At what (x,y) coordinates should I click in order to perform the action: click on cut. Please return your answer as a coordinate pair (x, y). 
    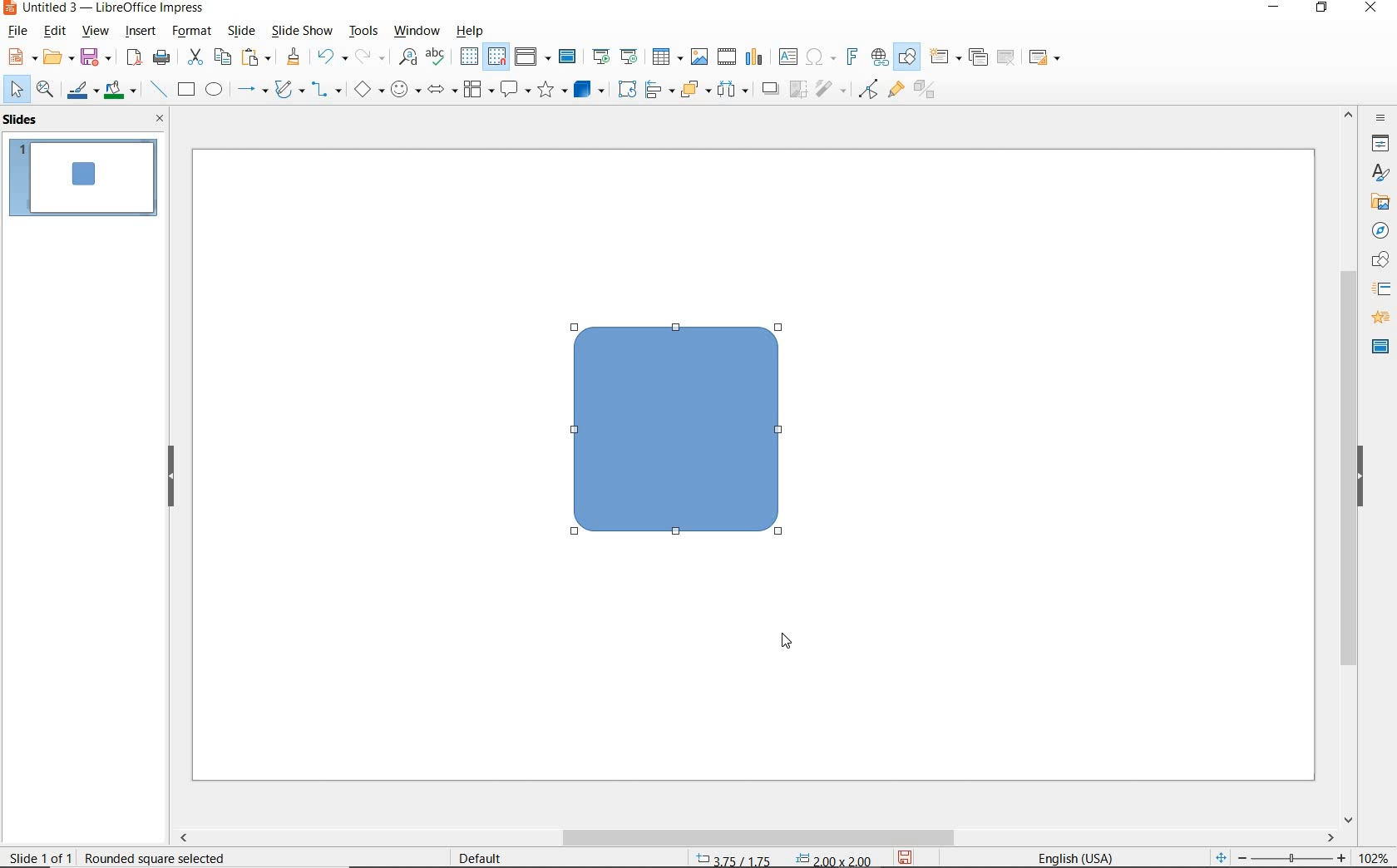
    Looking at the image, I should click on (193, 57).